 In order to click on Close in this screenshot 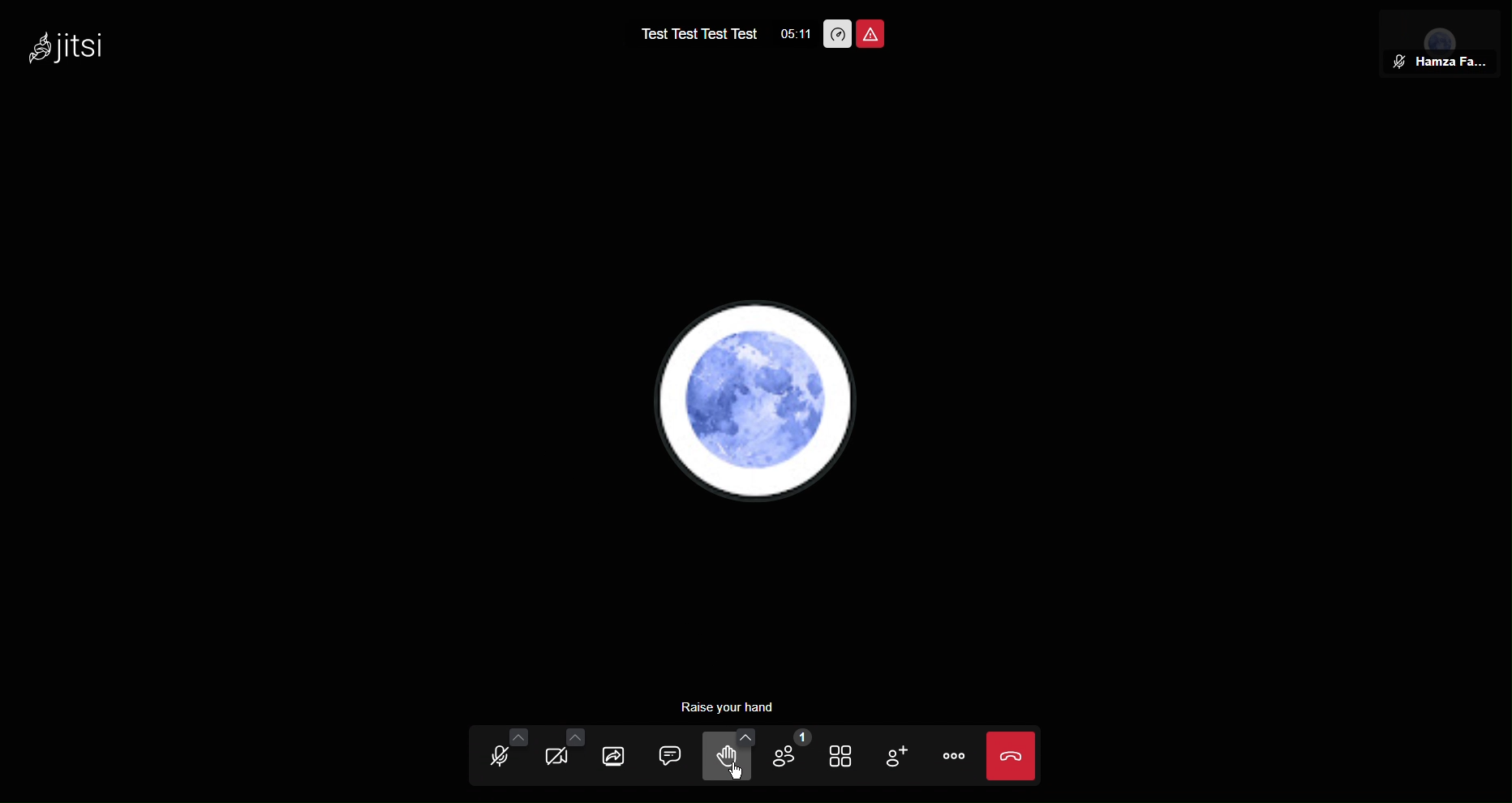, I will do `click(1019, 755)`.